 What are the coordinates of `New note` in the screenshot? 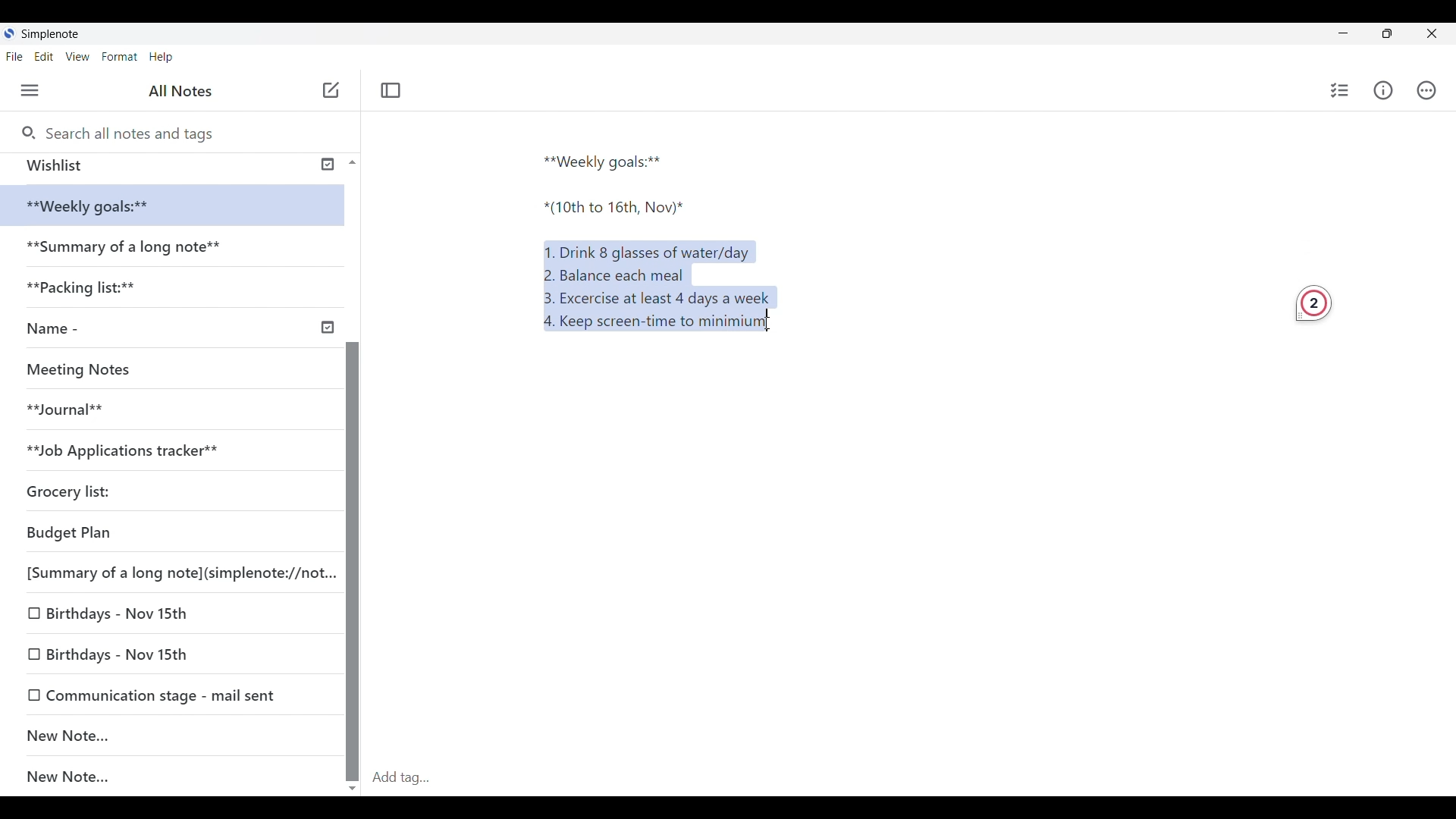 It's located at (331, 89).